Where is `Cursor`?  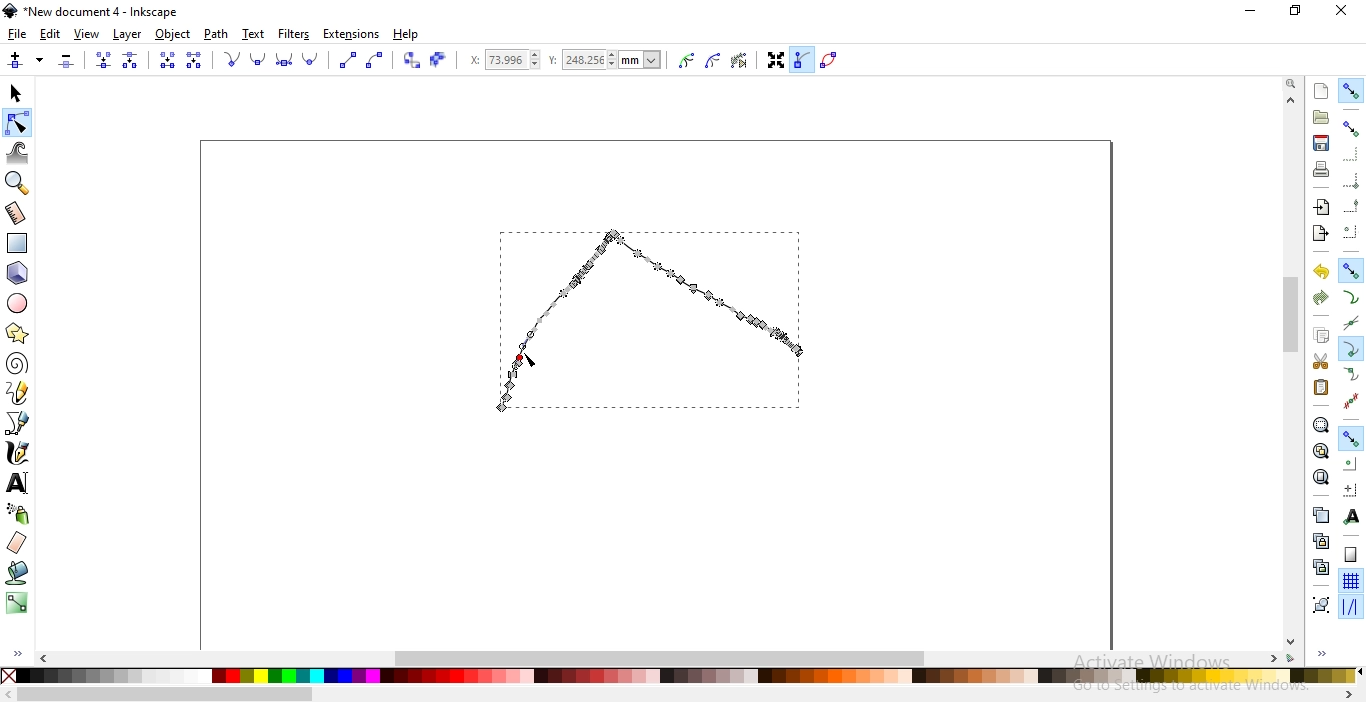 Cursor is located at coordinates (533, 361).